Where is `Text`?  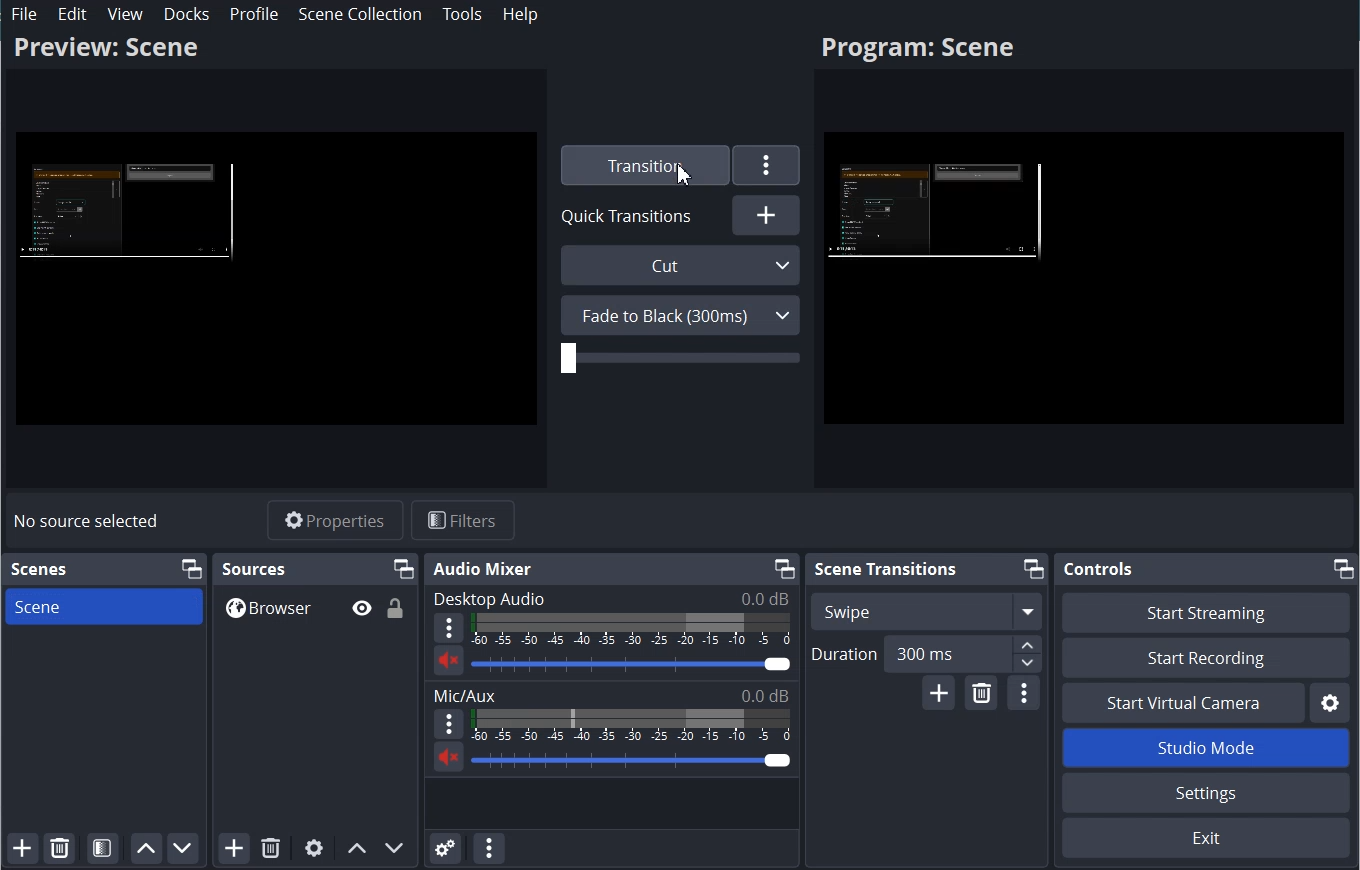
Text is located at coordinates (39, 569).